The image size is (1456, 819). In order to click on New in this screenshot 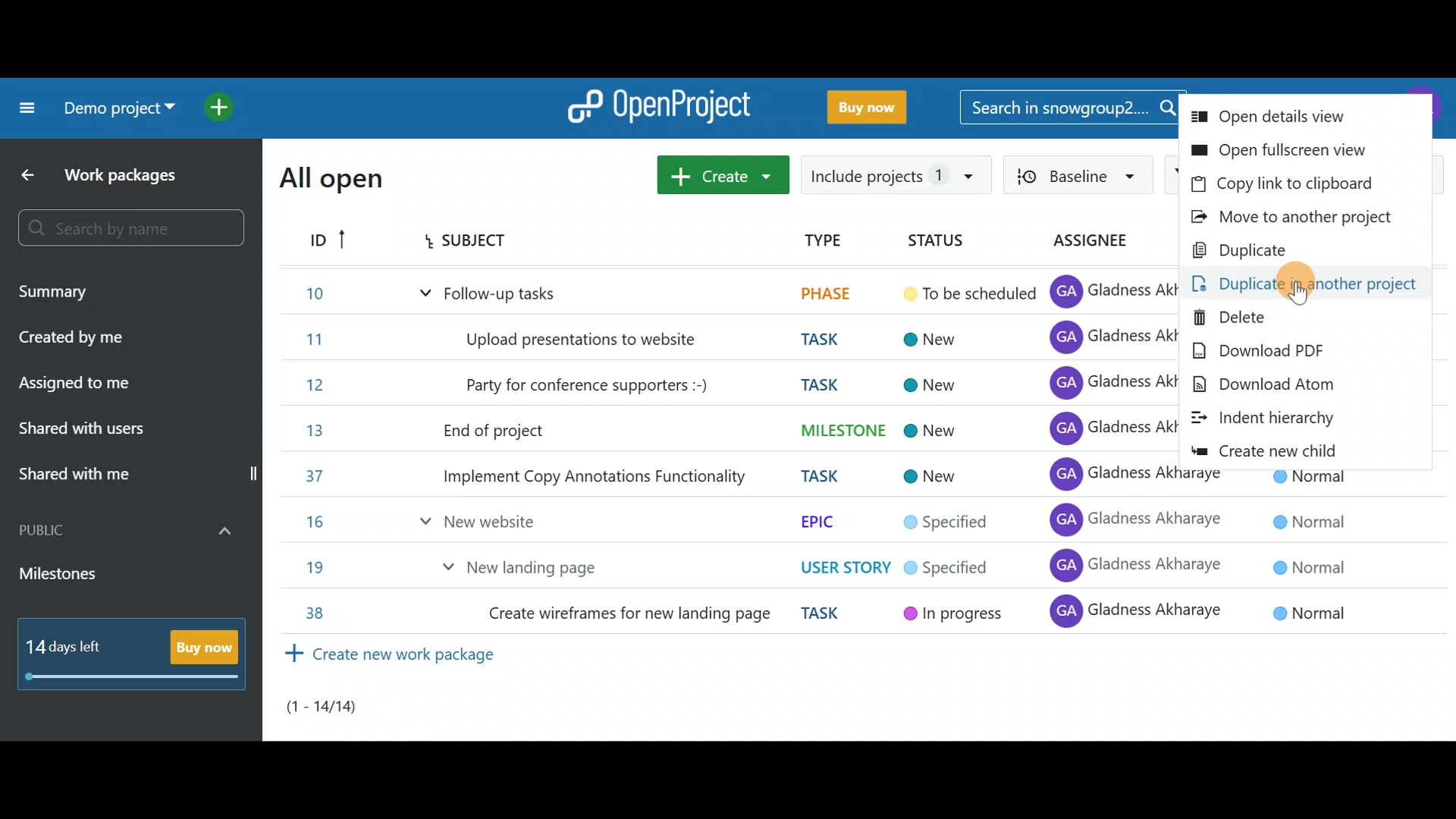, I will do `click(931, 383)`.